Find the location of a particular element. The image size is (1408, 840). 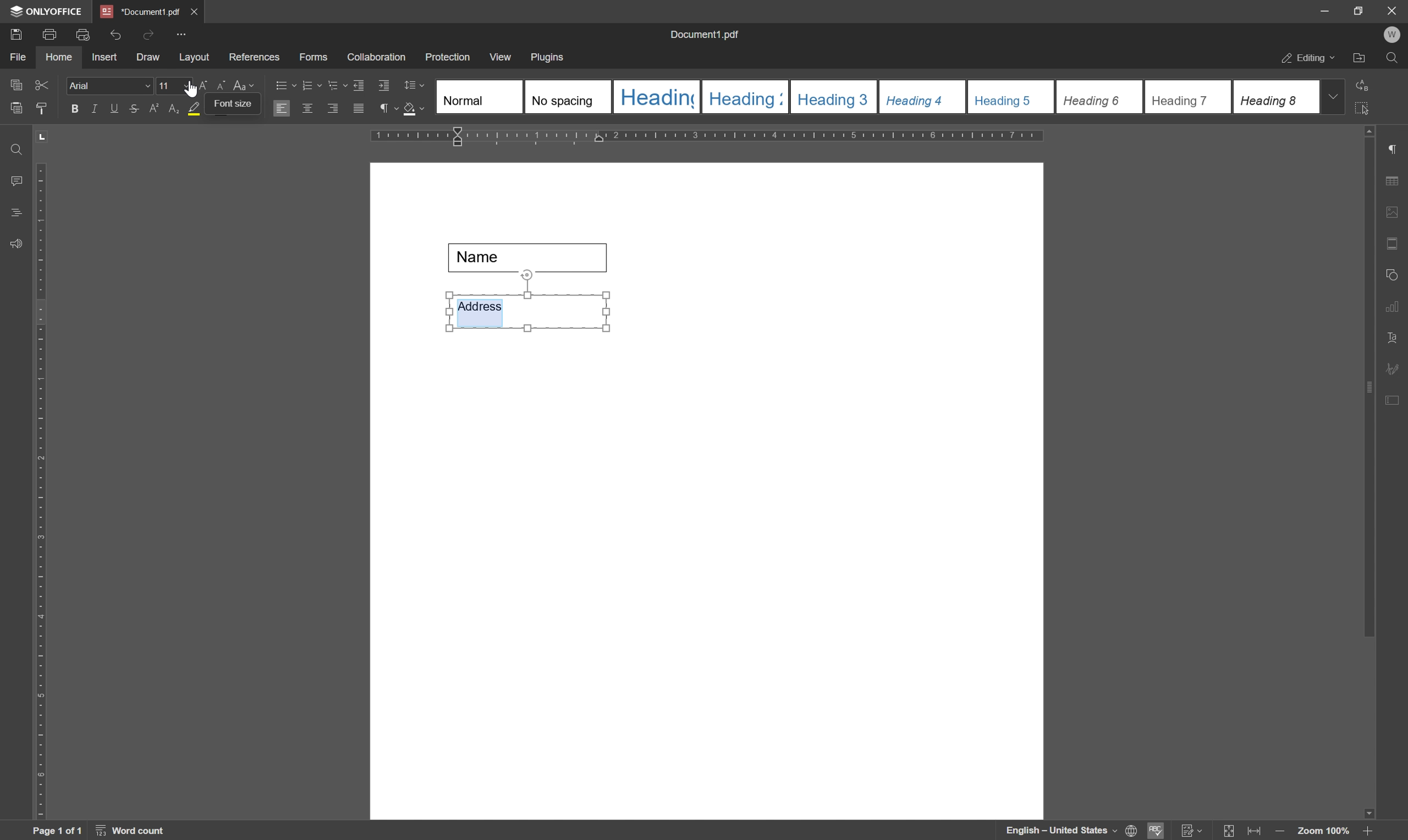

decrement font size is located at coordinates (219, 87).